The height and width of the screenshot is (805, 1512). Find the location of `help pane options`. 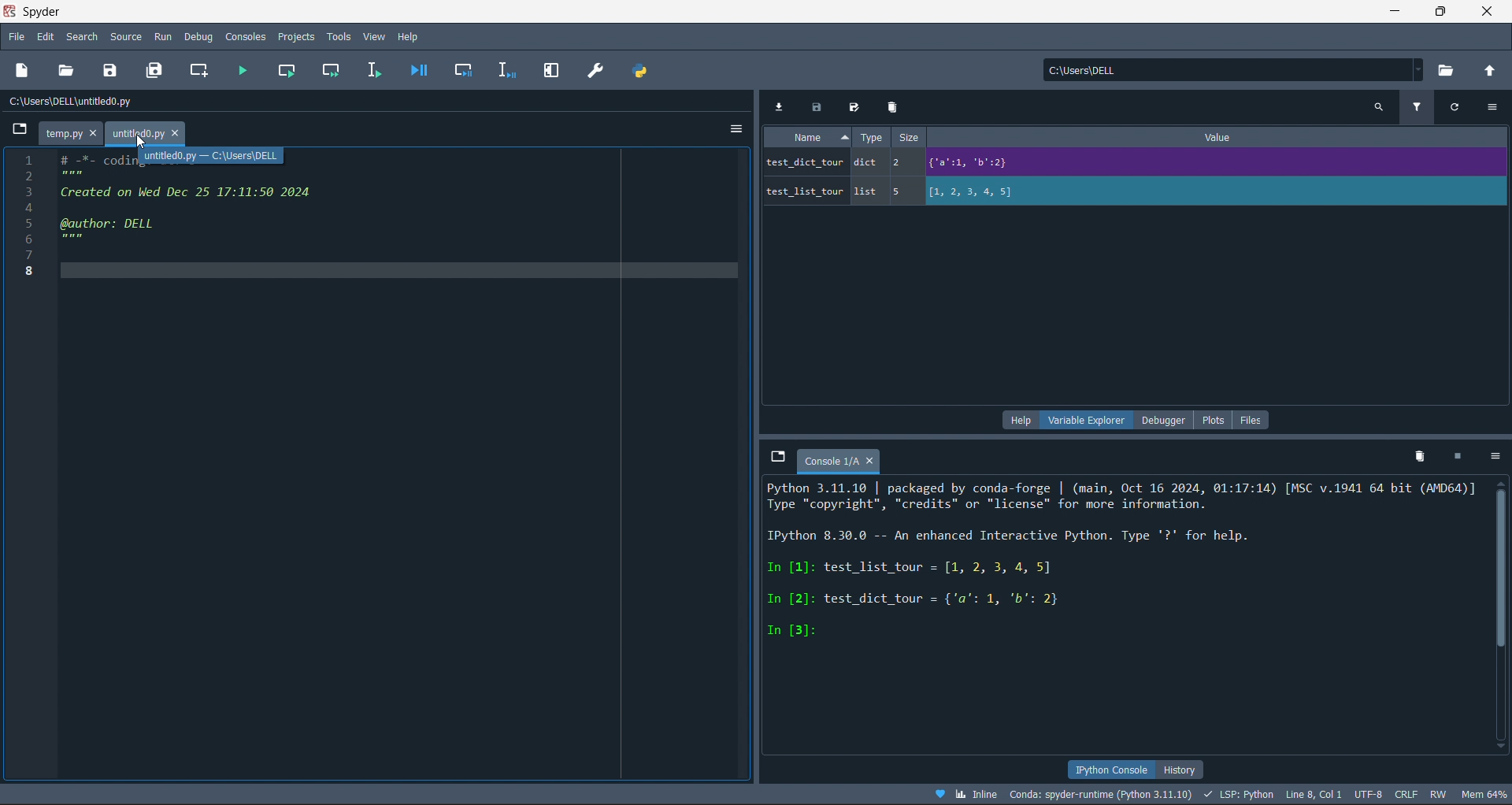

help pane options is located at coordinates (1017, 421).